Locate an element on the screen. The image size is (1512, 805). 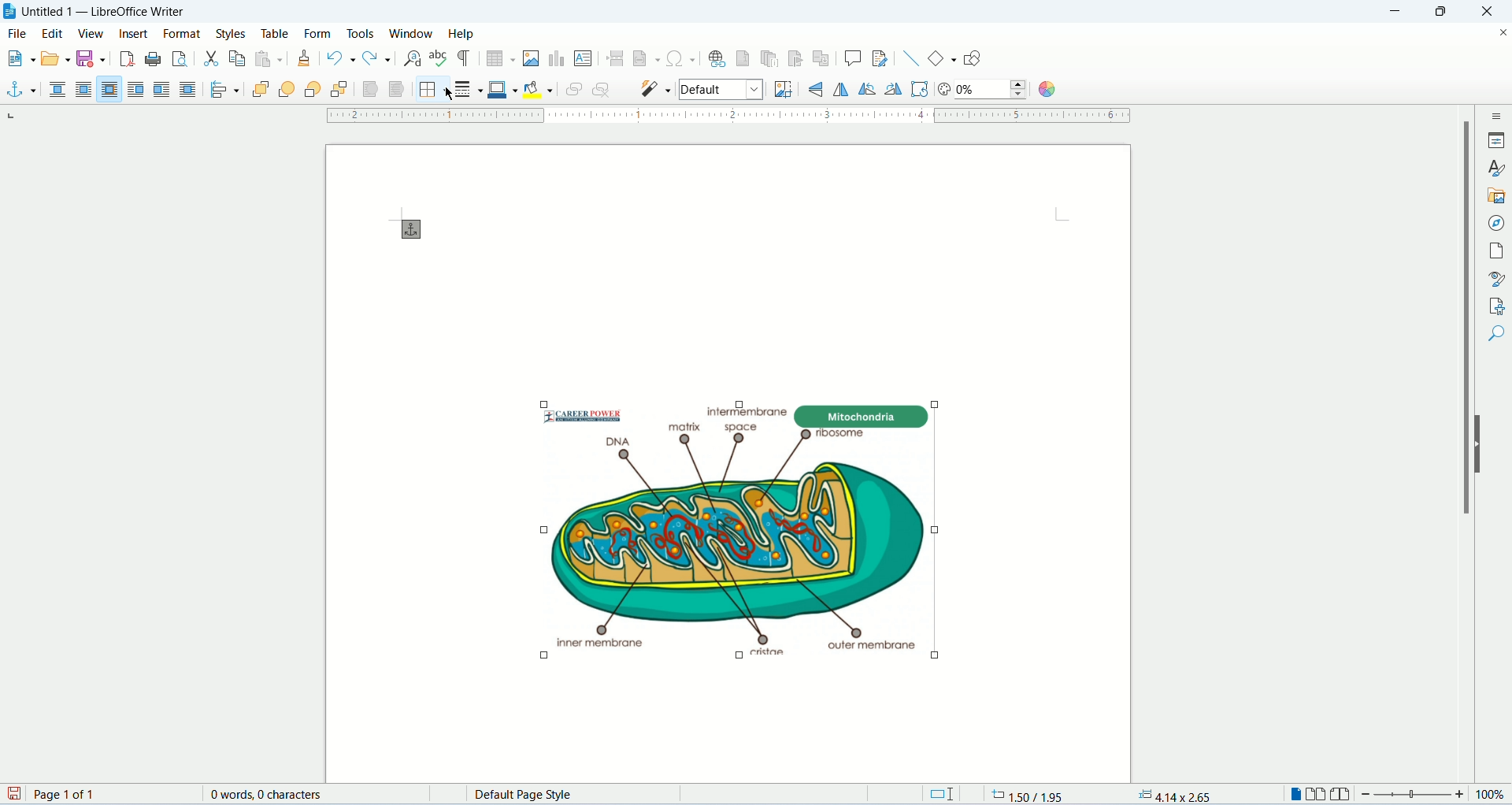
insert endnote is located at coordinates (770, 58).